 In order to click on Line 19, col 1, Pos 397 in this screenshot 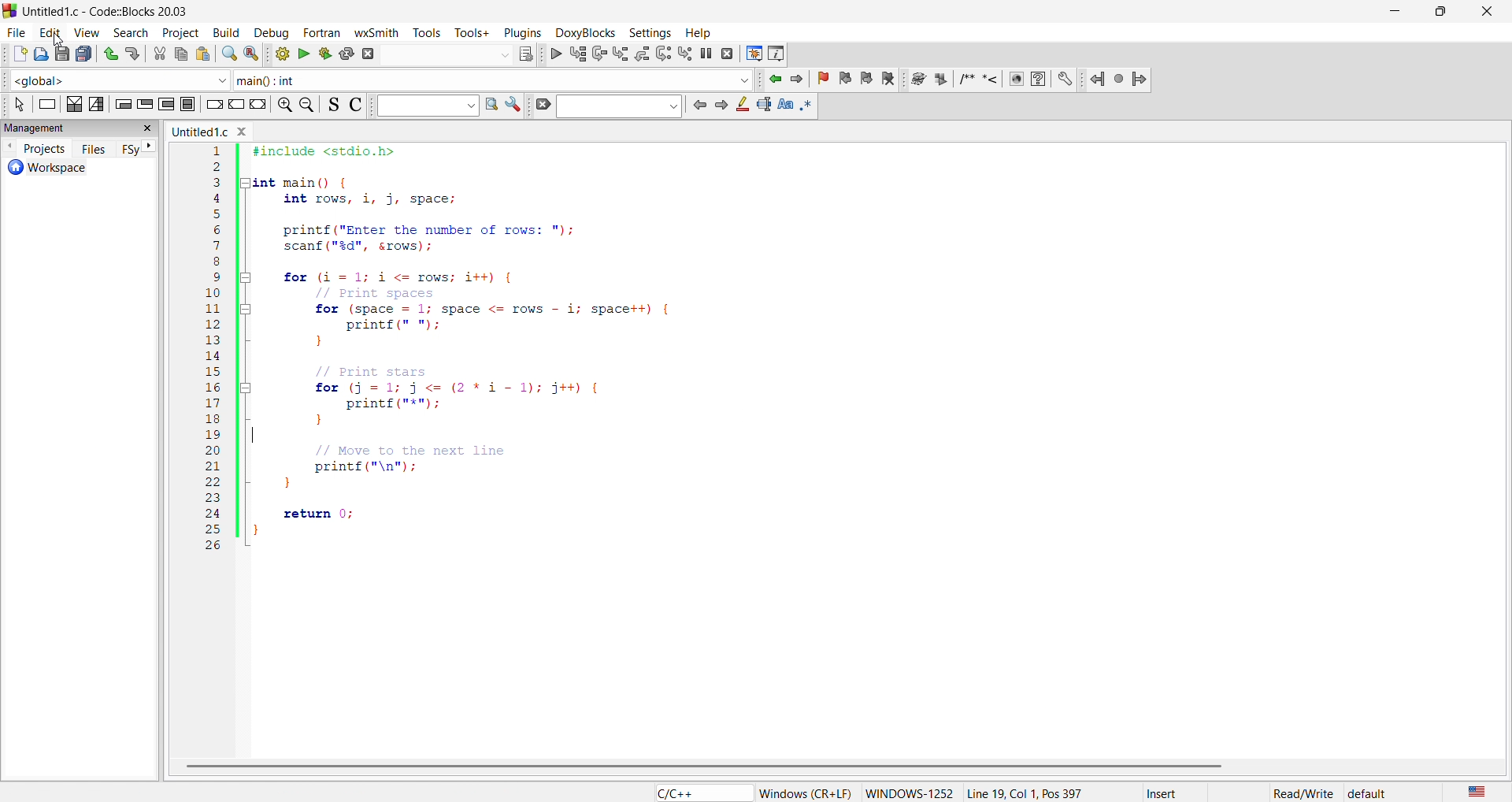, I will do `click(1024, 793)`.